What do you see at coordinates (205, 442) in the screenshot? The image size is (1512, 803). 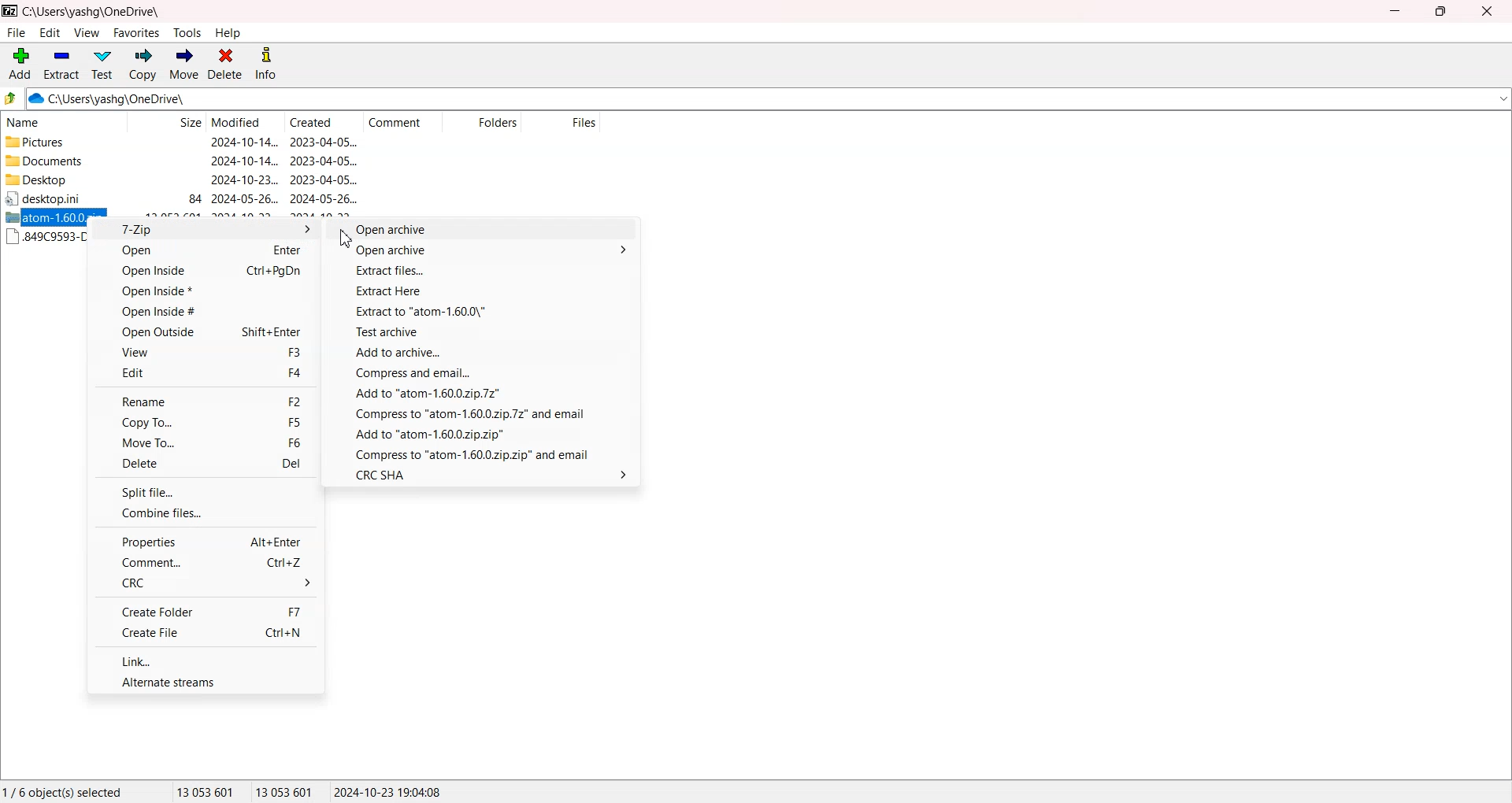 I see `Move To` at bounding box center [205, 442].